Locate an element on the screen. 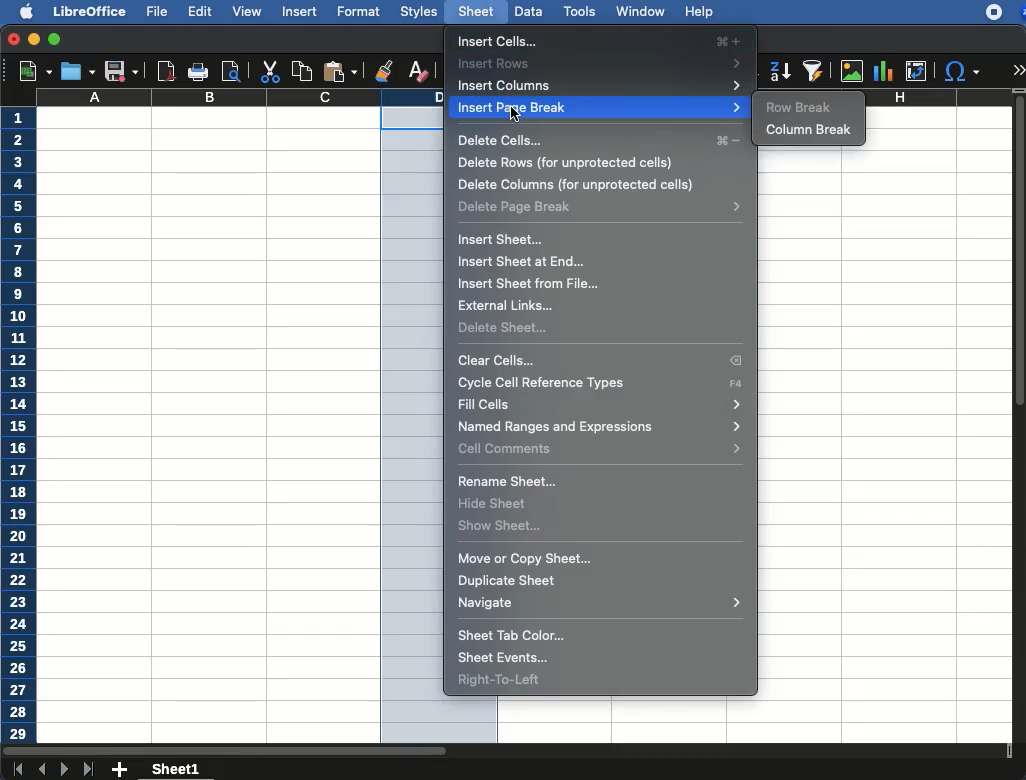  minimize is located at coordinates (35, 39).